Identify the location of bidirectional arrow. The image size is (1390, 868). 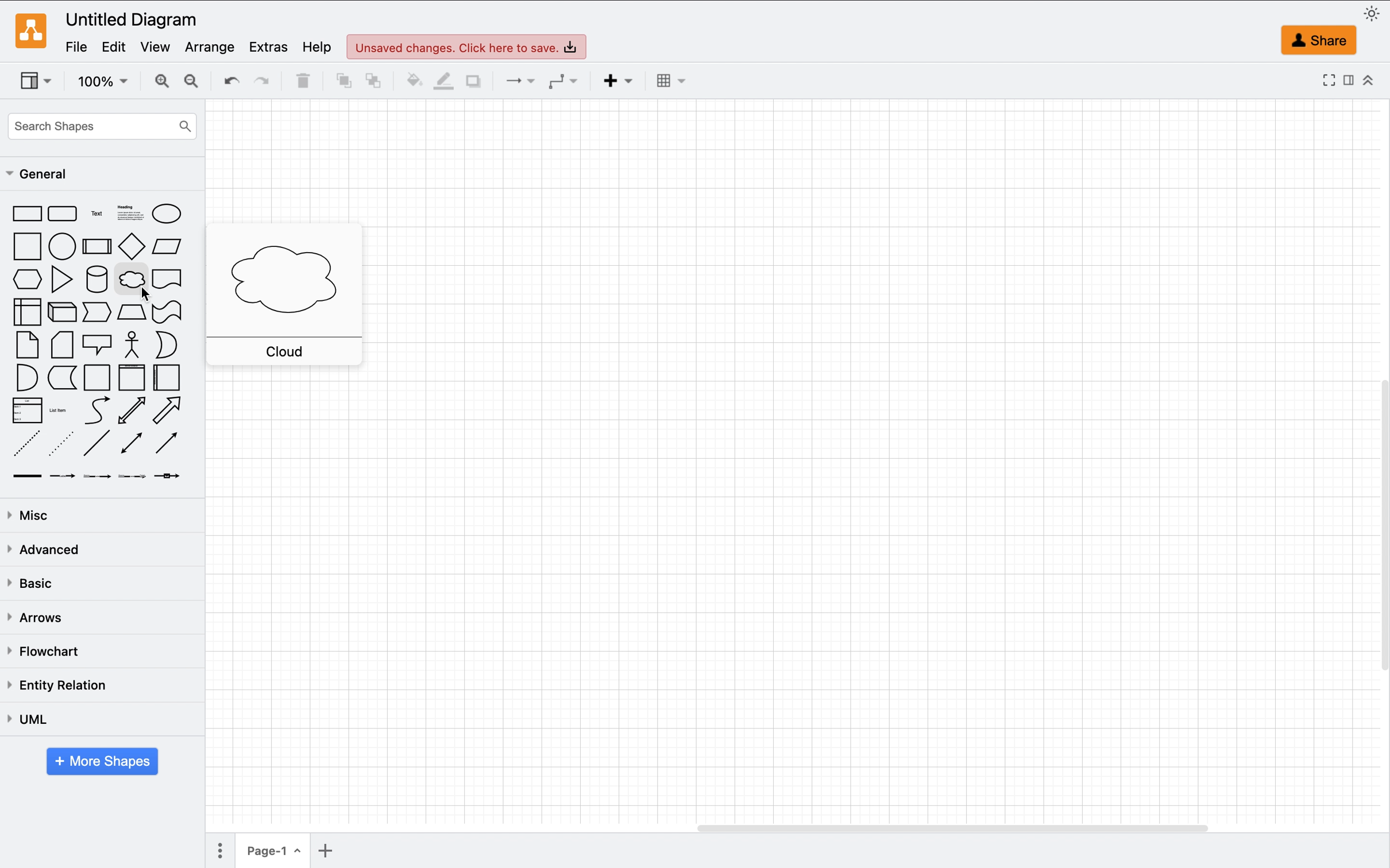
(131, 410).